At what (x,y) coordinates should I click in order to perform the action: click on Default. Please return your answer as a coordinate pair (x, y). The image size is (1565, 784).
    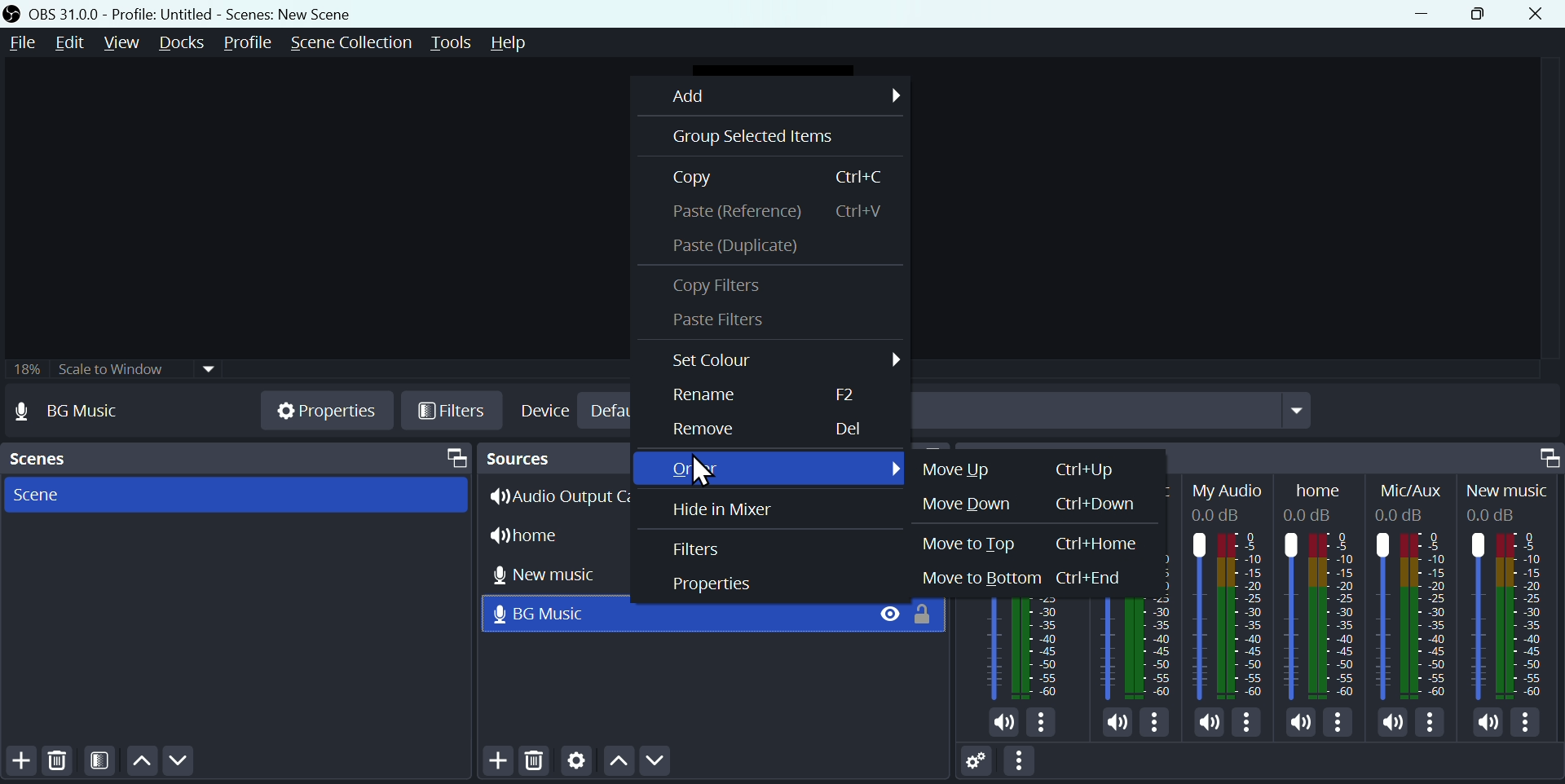
    Looking at the image, I should click on (614, 411).